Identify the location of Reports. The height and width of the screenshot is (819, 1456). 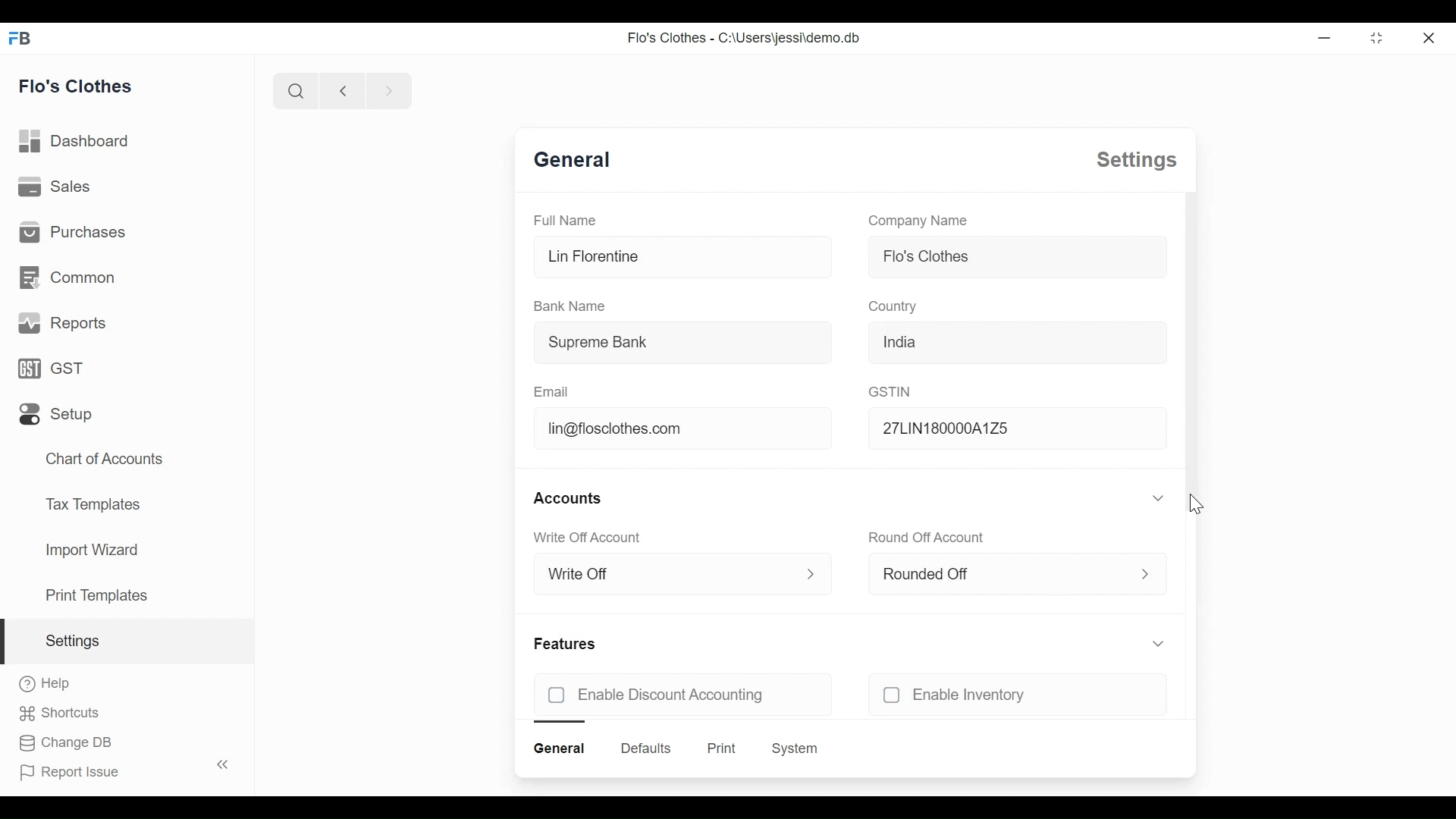
(61, 323).